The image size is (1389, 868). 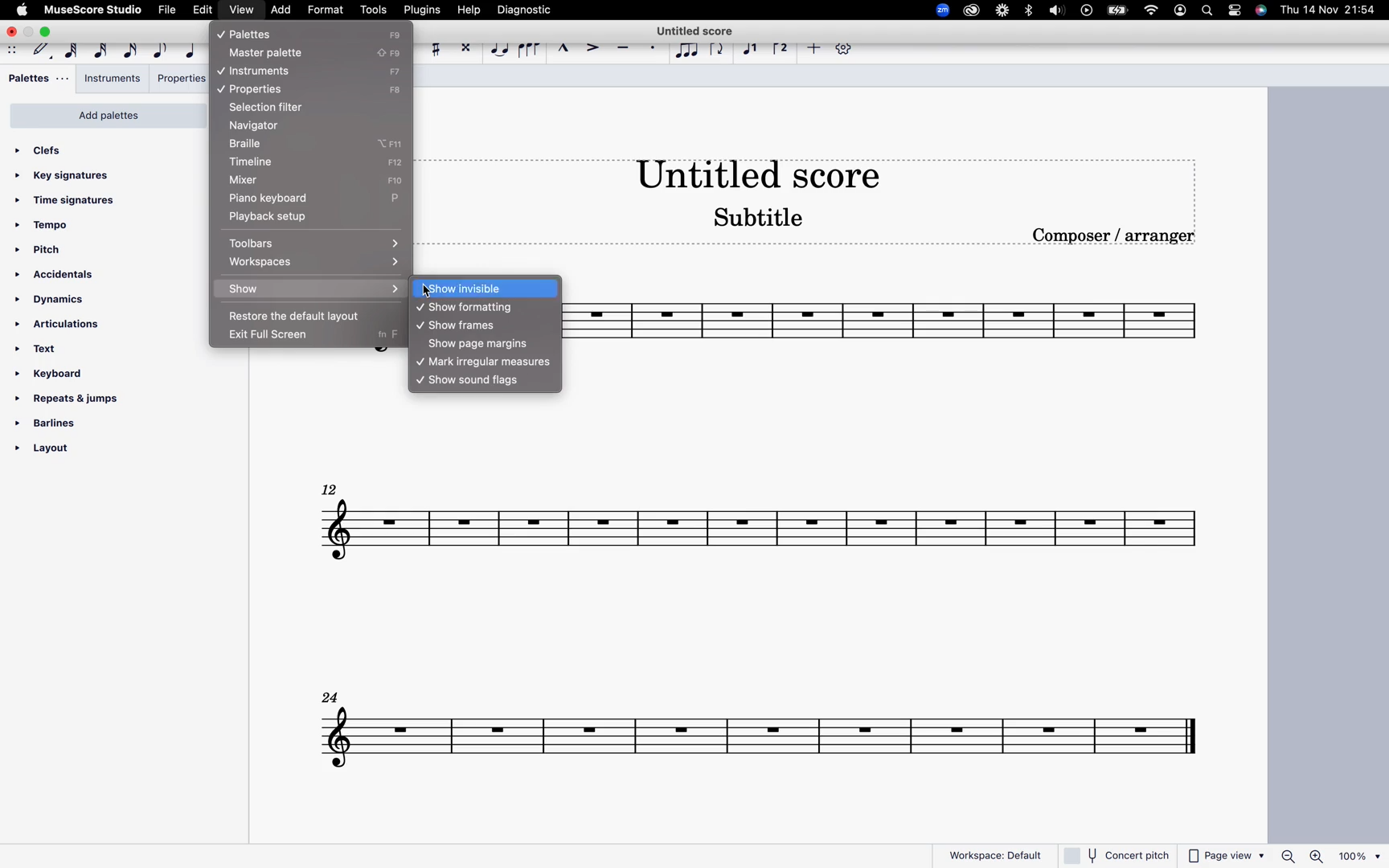 What do you see at coordinates (73, 396) in the screenshot?
I see `repeats & jumps` at bounding box center [73, 396].